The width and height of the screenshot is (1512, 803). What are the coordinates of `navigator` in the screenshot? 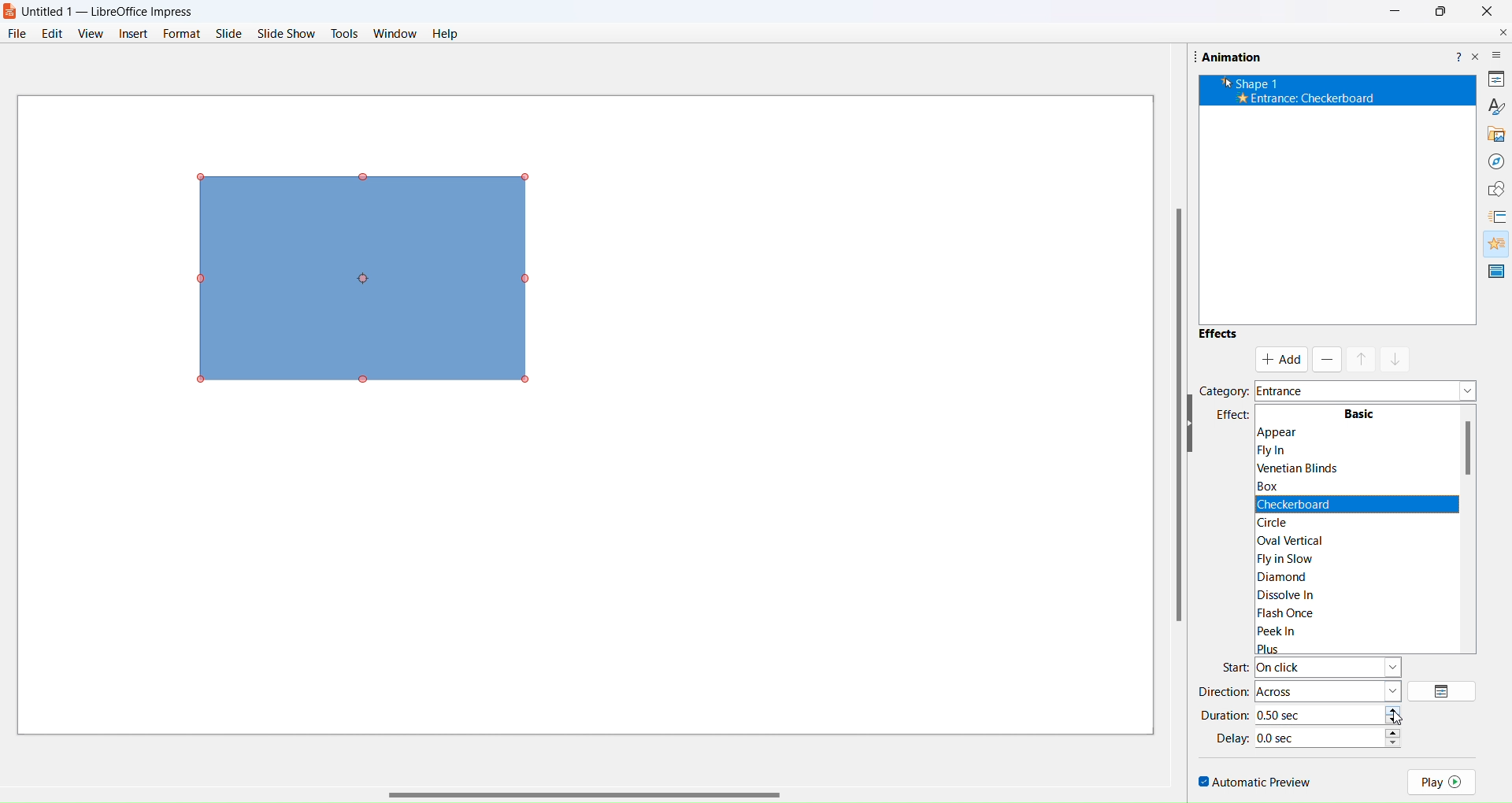 It's located at (1495, 161).